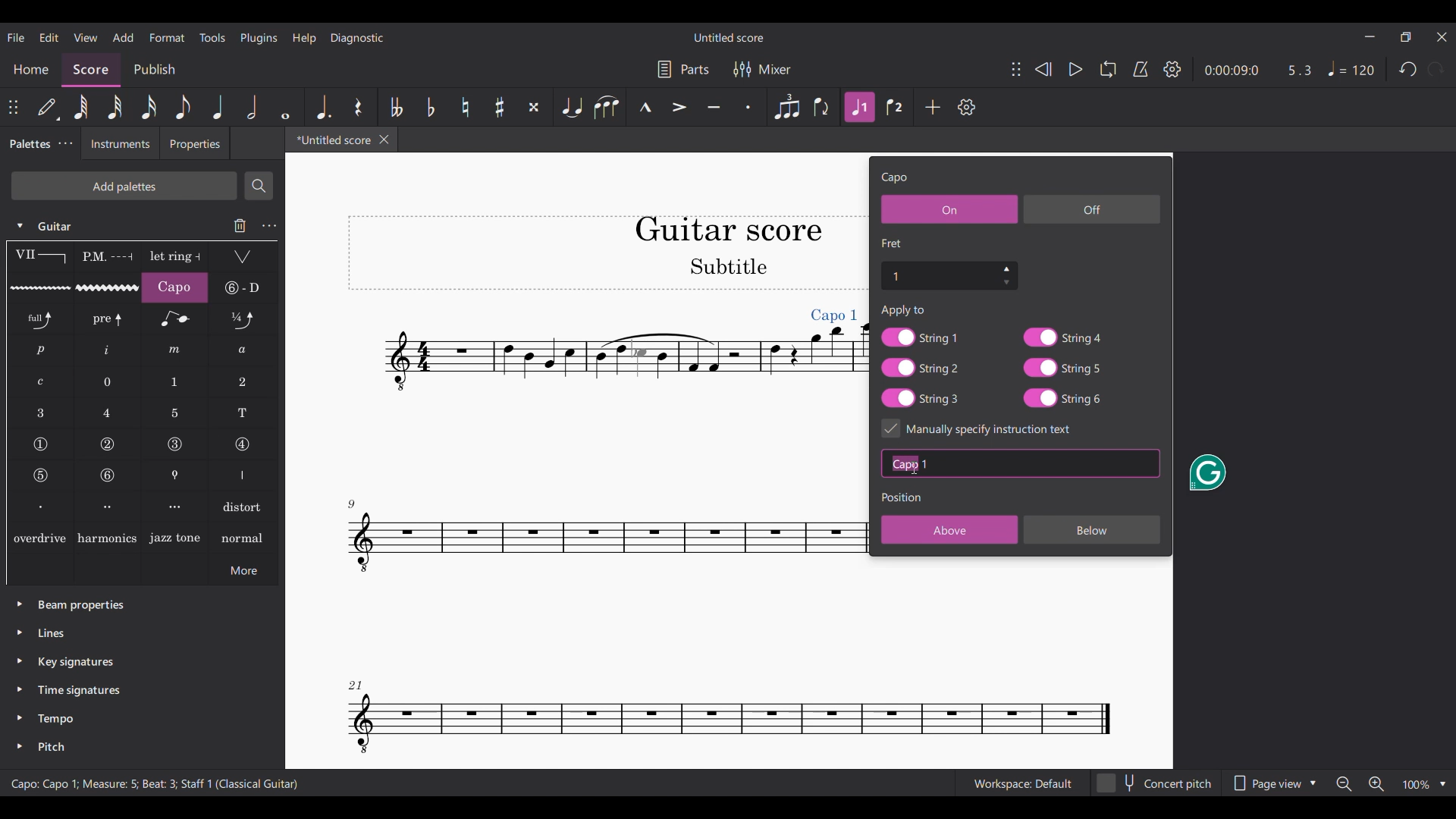 The height and width of the screenshot is (819, 1456). What do you see at coordinates (49, 38) in the screenshot?
I see `Edit menu` at bounding box center [49, 38].